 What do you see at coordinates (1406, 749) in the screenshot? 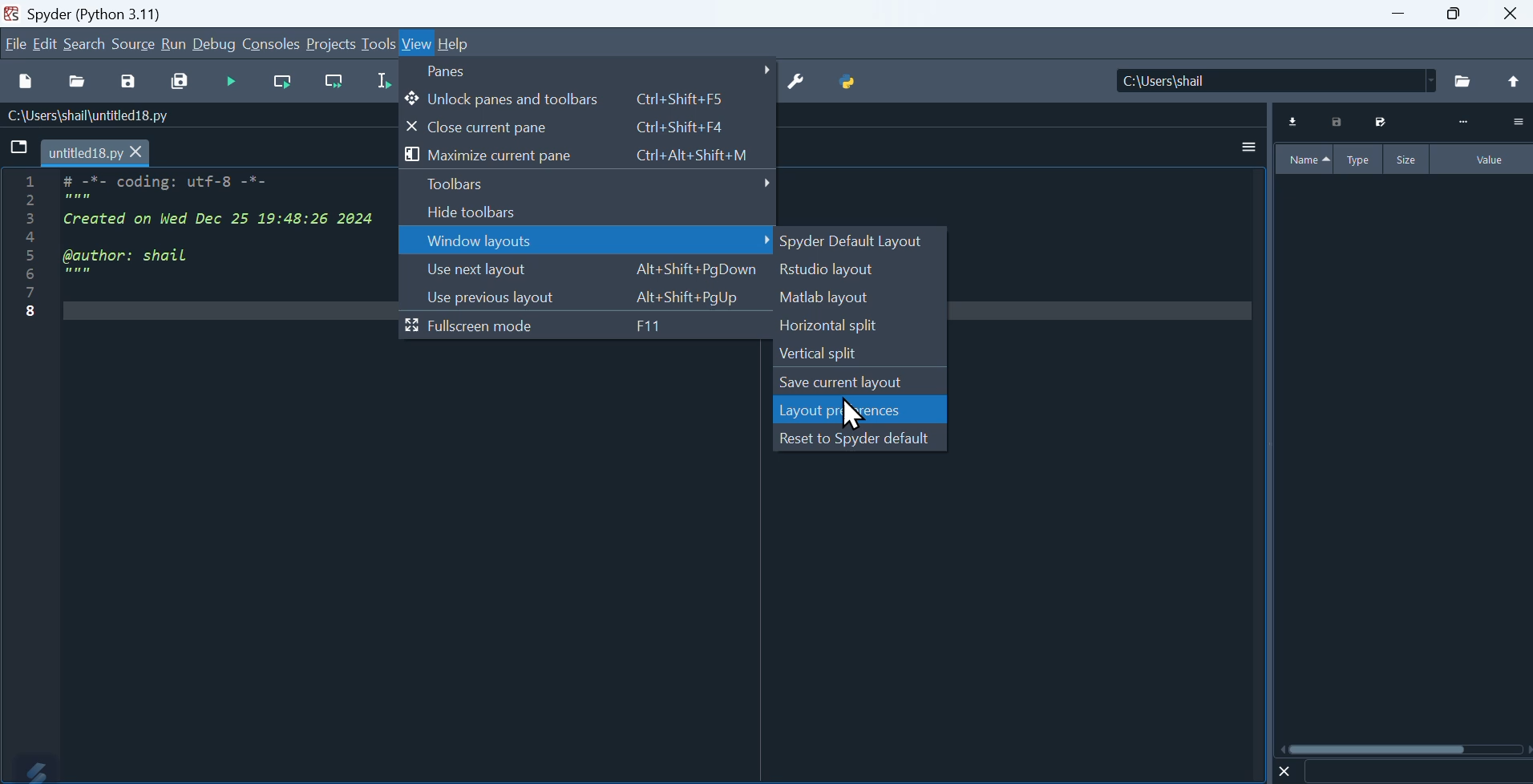
I see `Horizontal scroll bar` at bounding box center [1406, 749].